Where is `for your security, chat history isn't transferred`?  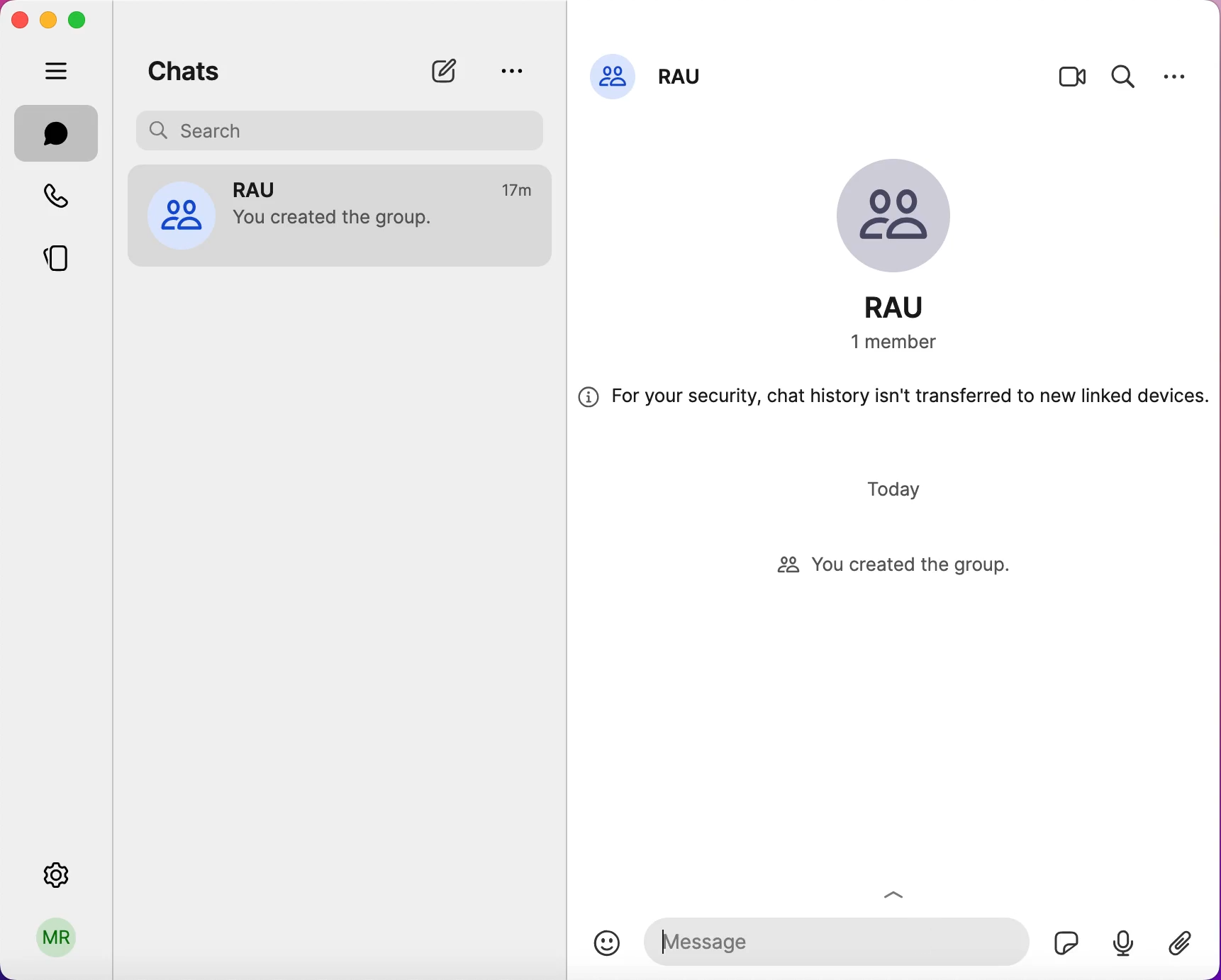 for your security, chat history isn't transferred is located at coordinates (893, 402).